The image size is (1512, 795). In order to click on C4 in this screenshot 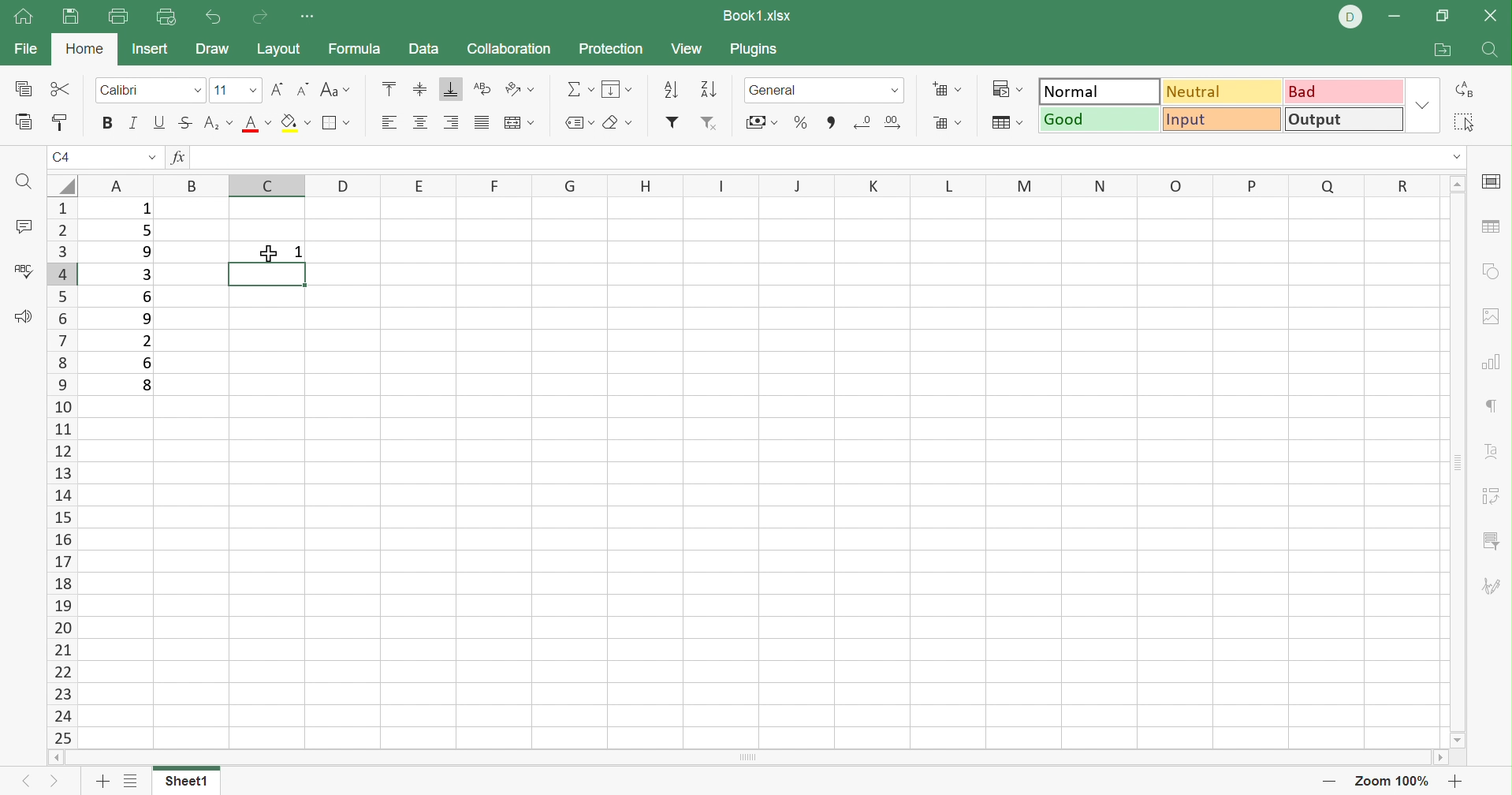, I will do `click(61, 158)`.